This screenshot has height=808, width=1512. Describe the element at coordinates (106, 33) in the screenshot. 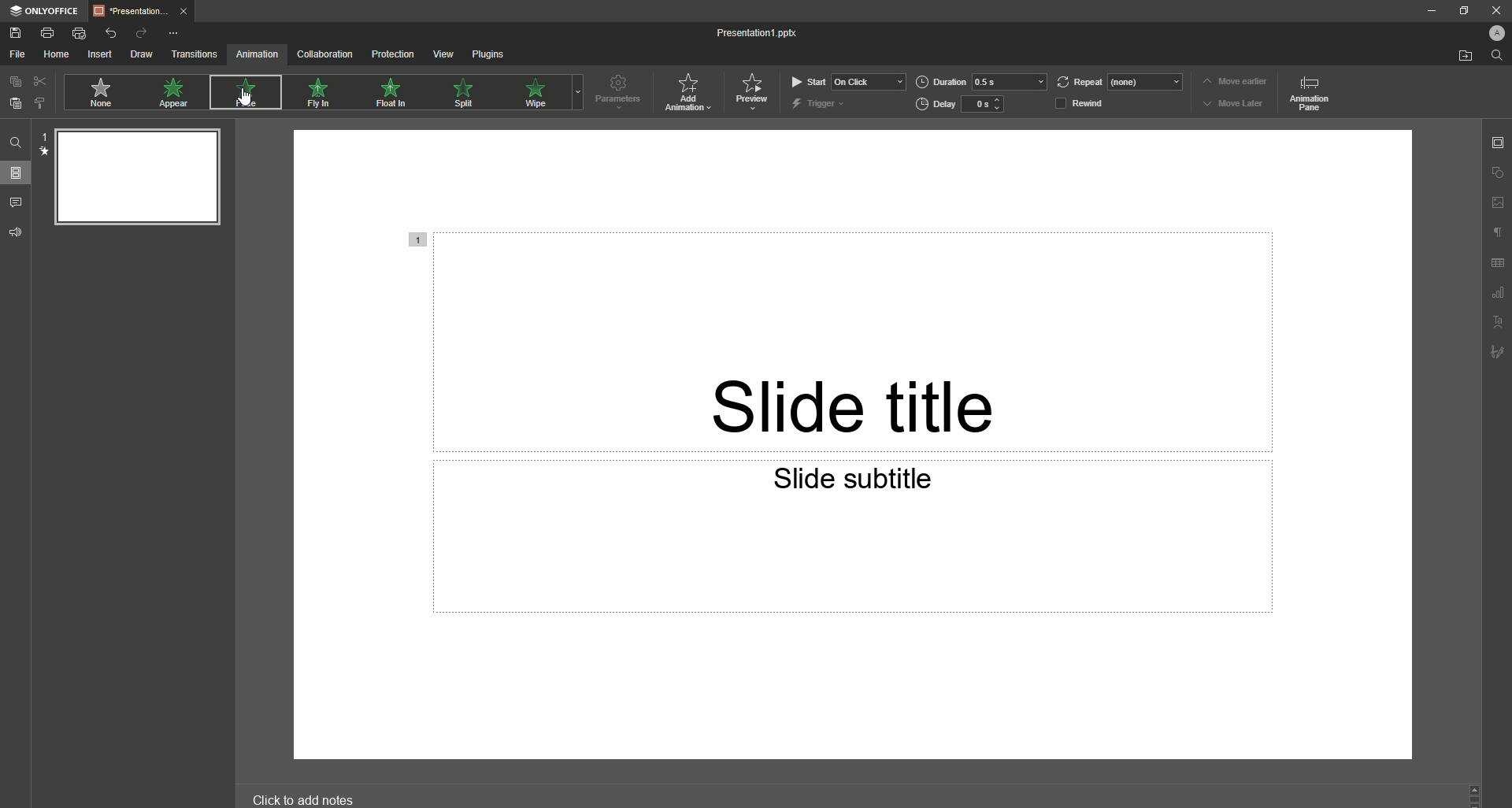

I see `Undo` at that location.